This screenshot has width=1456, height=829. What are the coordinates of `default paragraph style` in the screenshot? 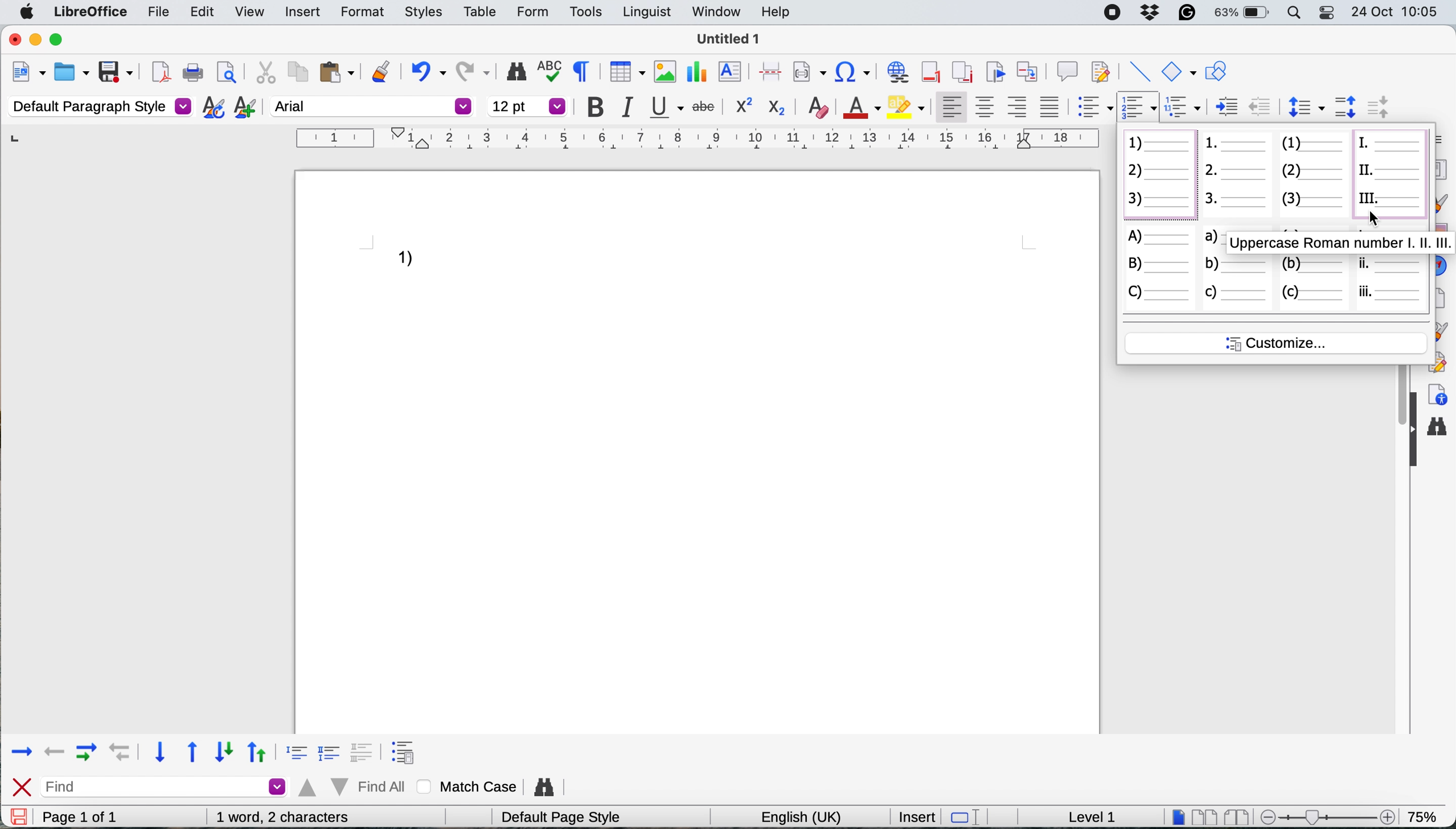 It's located at (100, 106).